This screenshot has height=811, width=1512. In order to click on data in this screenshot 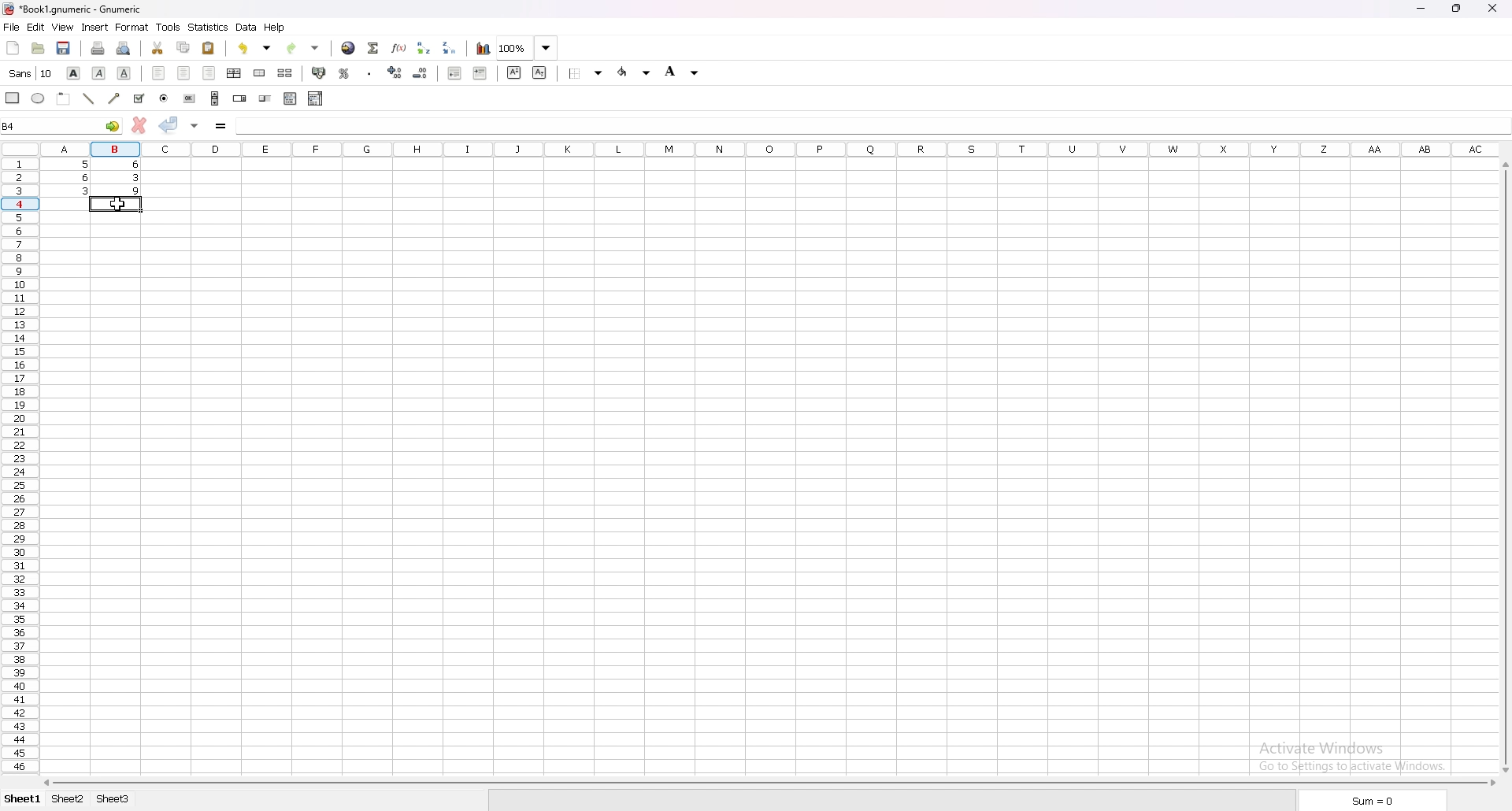, I will do `click(246, 28)`.